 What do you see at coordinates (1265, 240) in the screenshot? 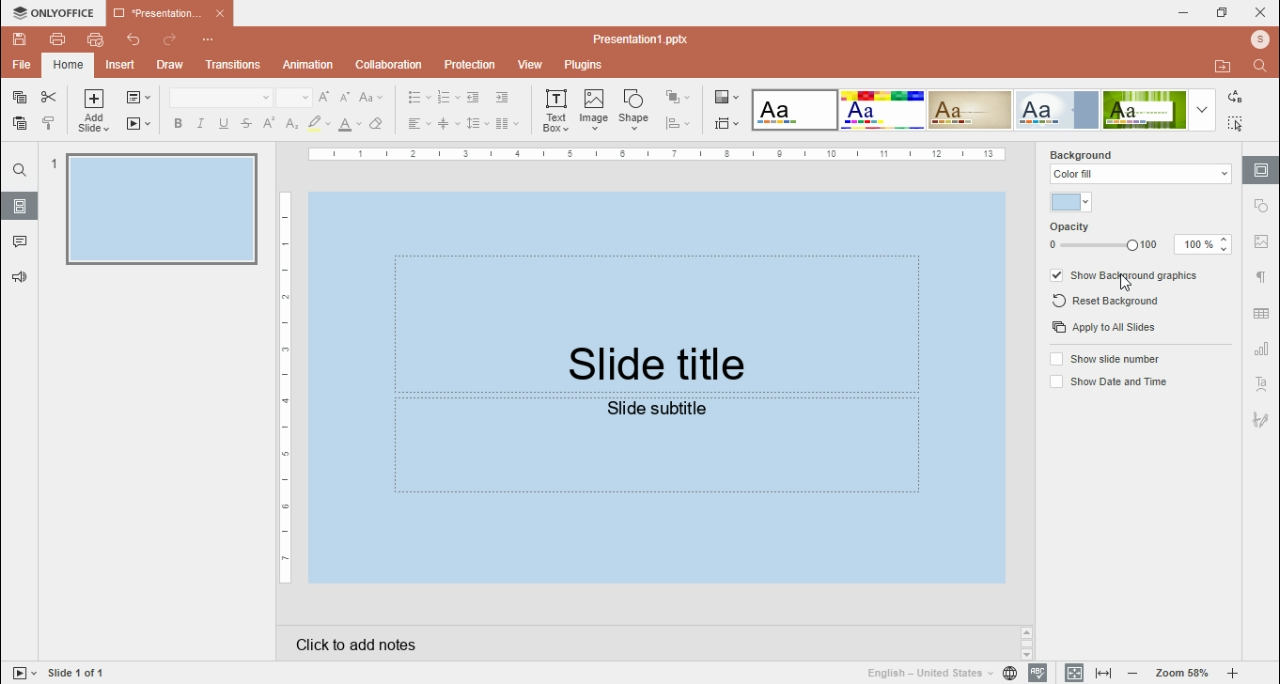
I see `image settings` at bounding box center [1265, 240].